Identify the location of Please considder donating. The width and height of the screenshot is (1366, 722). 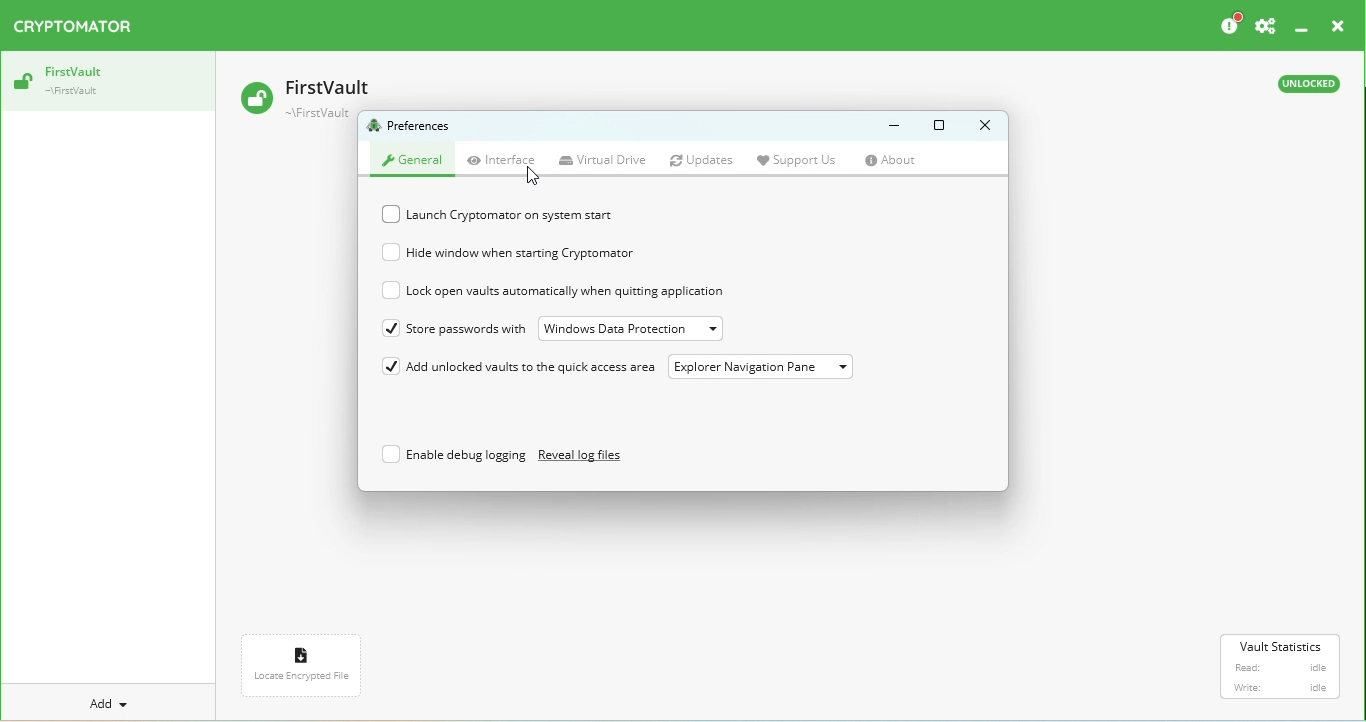
(1228, 25).